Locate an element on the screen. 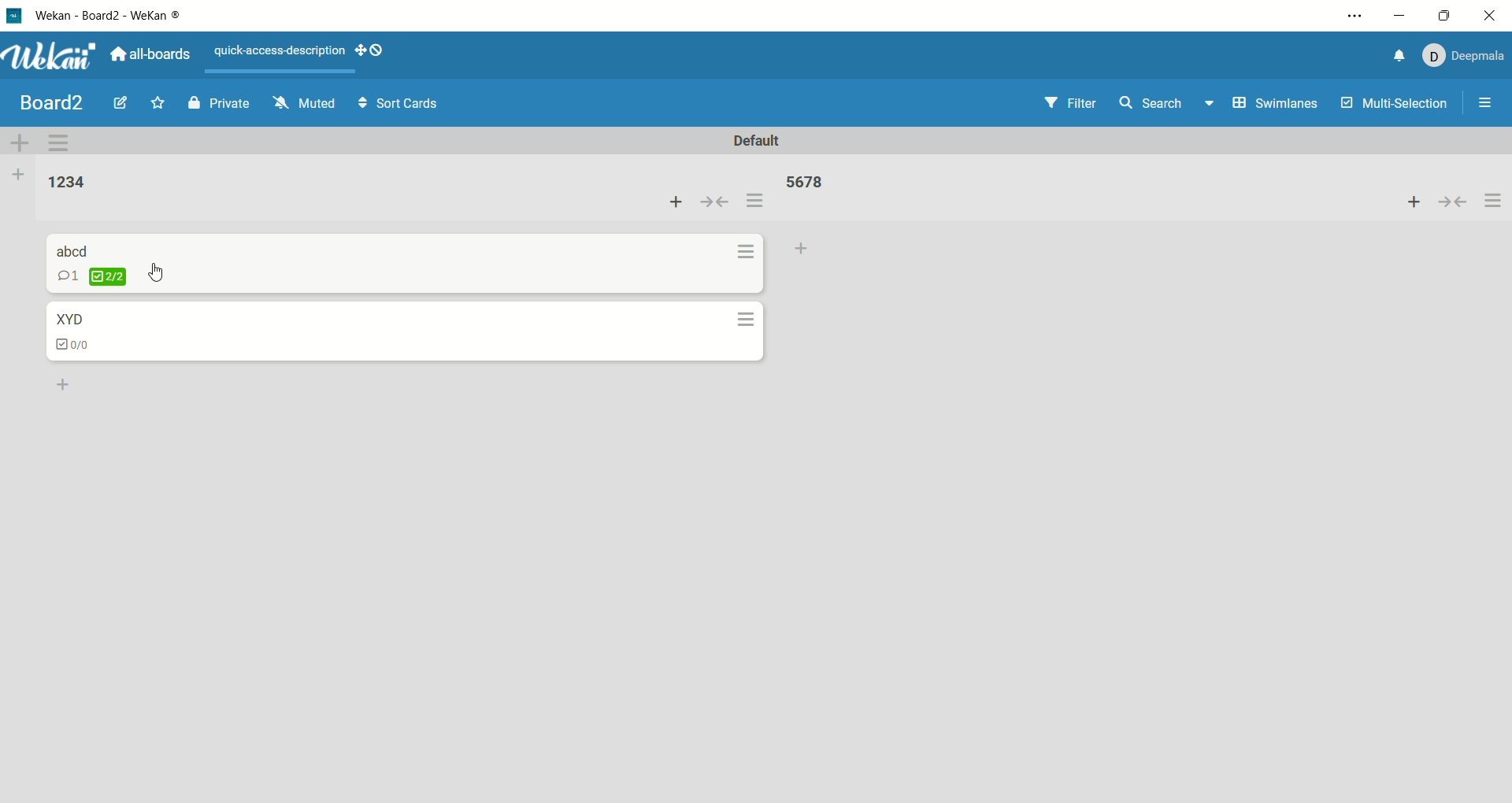 This screenshot has height=803, width=1512. favorite is located at coordinates (157, 98).